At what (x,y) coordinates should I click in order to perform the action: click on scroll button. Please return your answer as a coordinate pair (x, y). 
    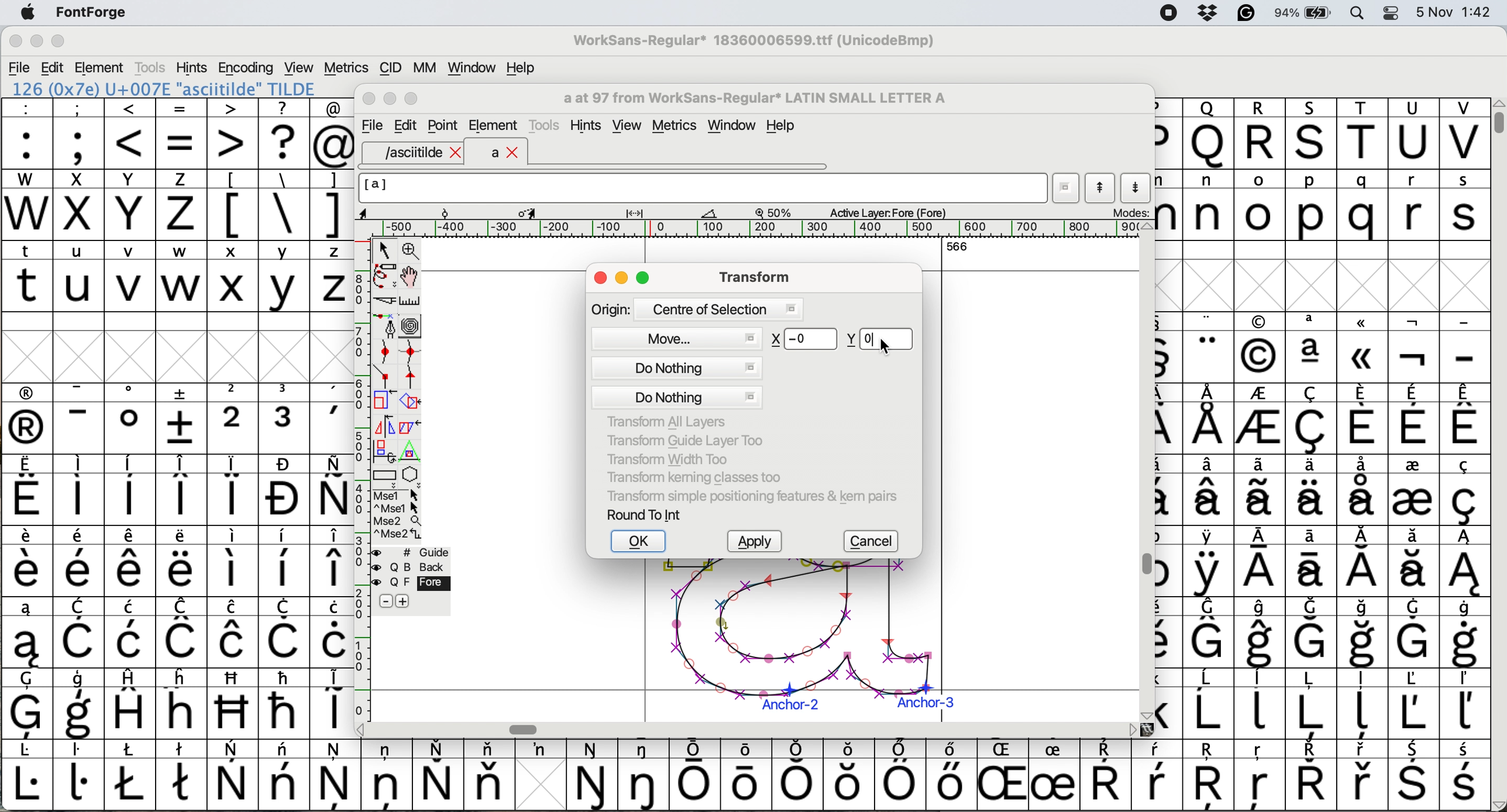
    Looking at the image, I should click on (1497, 804).